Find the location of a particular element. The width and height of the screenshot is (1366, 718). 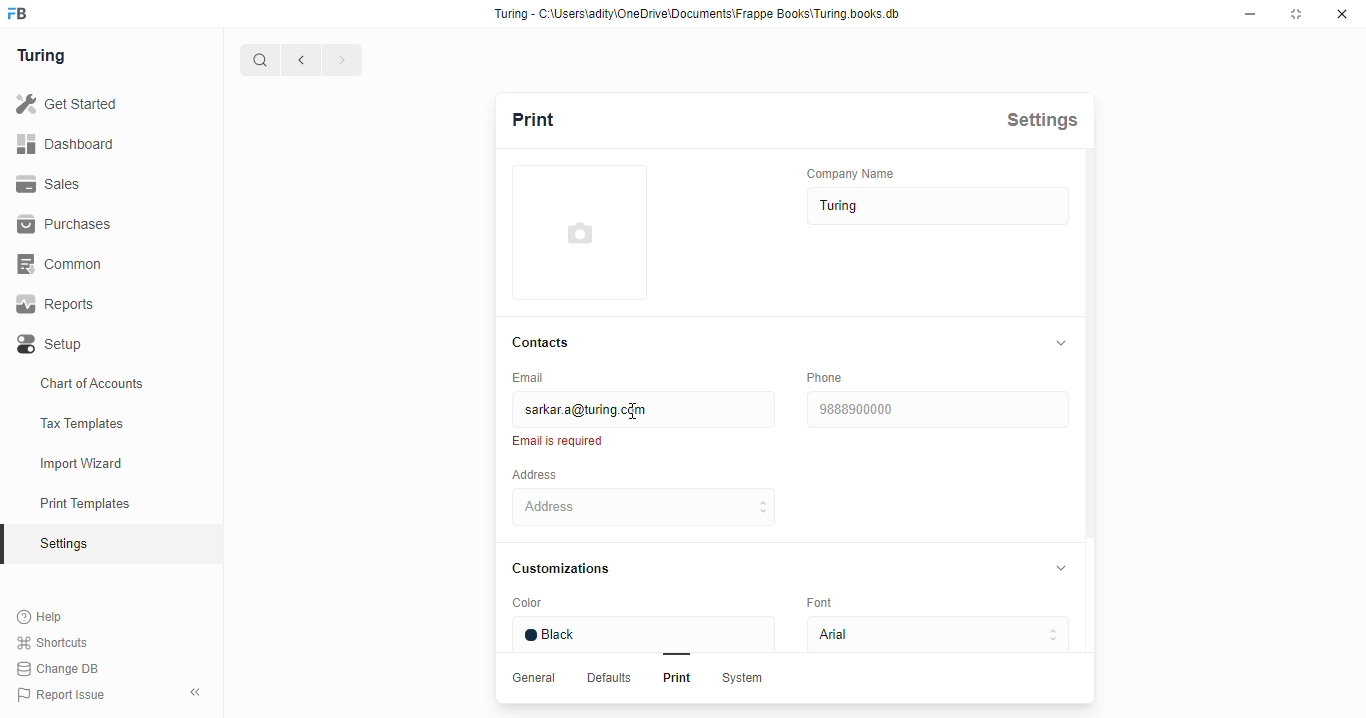

Color is located at coordinates (565, 604).